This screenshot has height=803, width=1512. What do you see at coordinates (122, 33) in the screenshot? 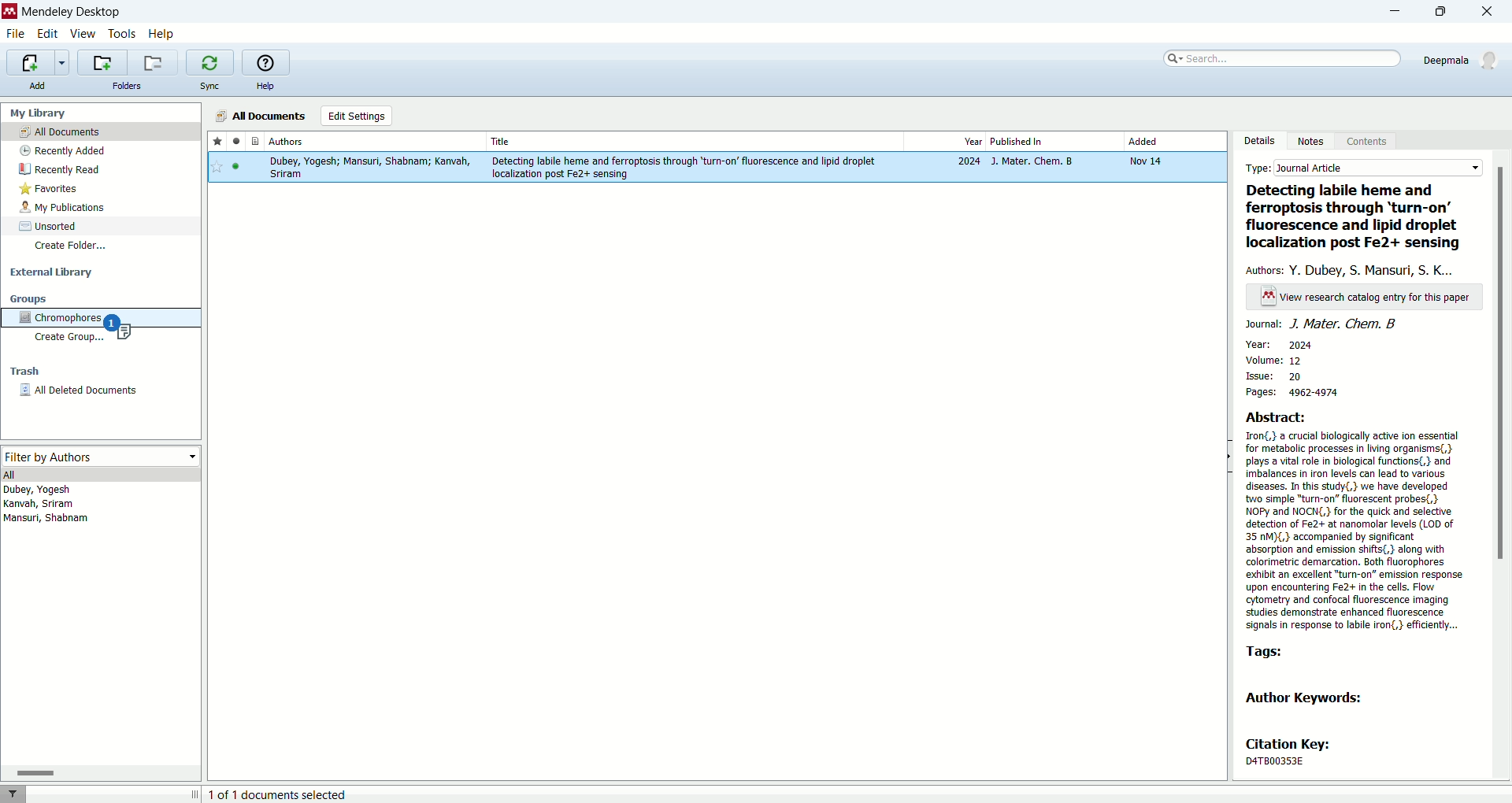
I see `tools` at bounding box center [122, 33].